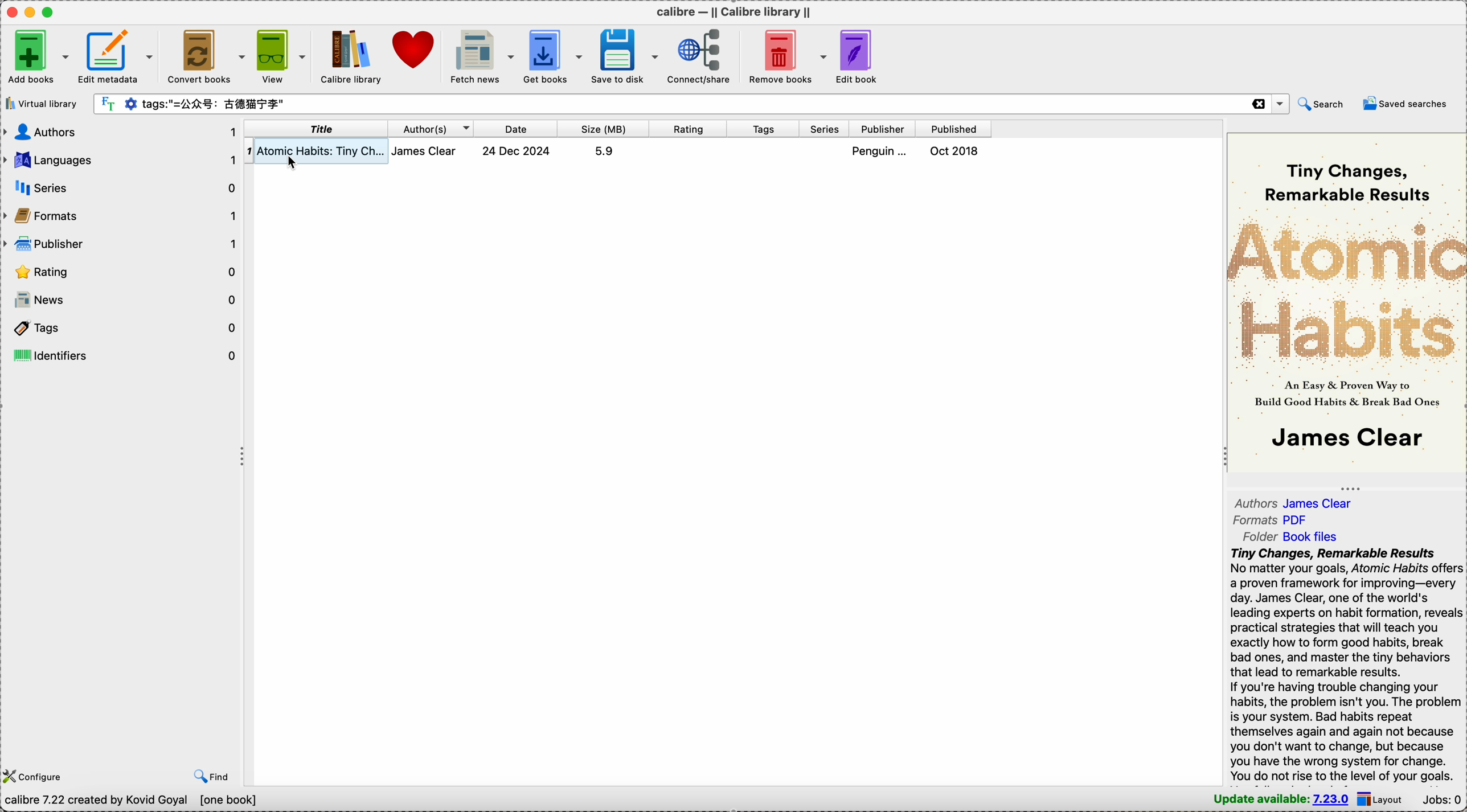  I want to click on click on first book, so click(642, 153).